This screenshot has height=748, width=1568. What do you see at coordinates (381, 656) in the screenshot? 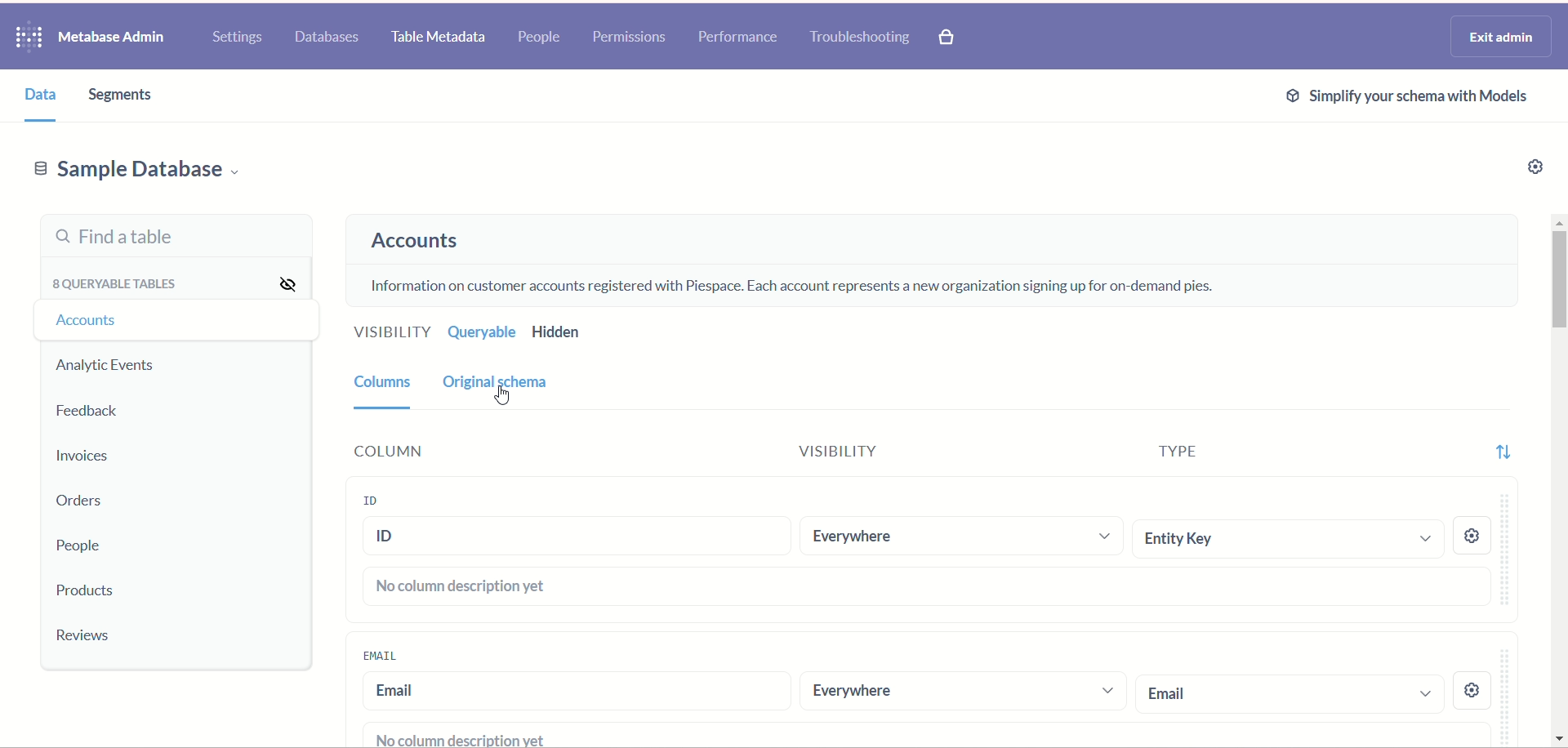
I see `Email` at bounding box center [381, 656].